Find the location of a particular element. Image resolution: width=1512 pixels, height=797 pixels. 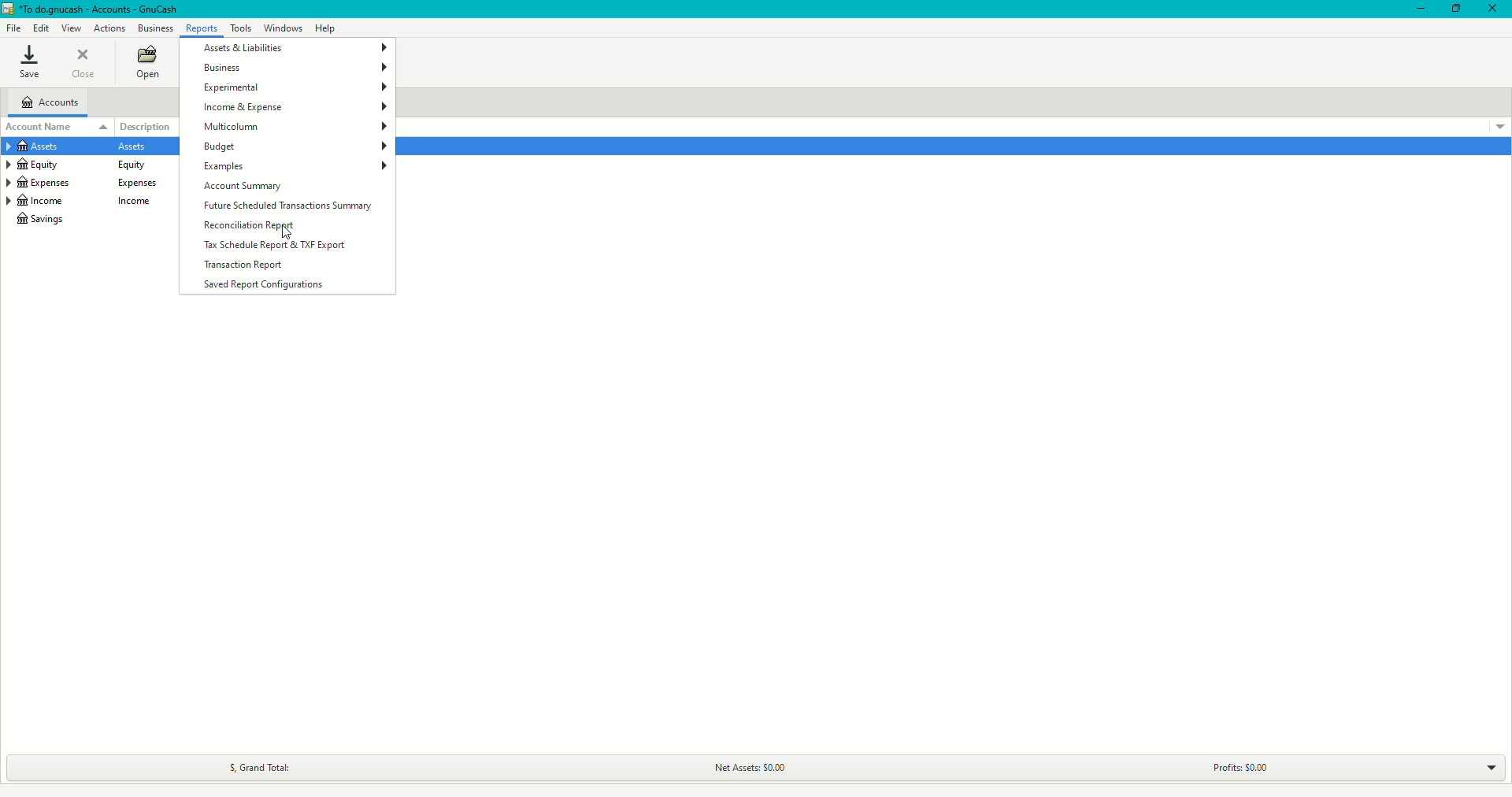

Savings is located at coordinates (46, 220).